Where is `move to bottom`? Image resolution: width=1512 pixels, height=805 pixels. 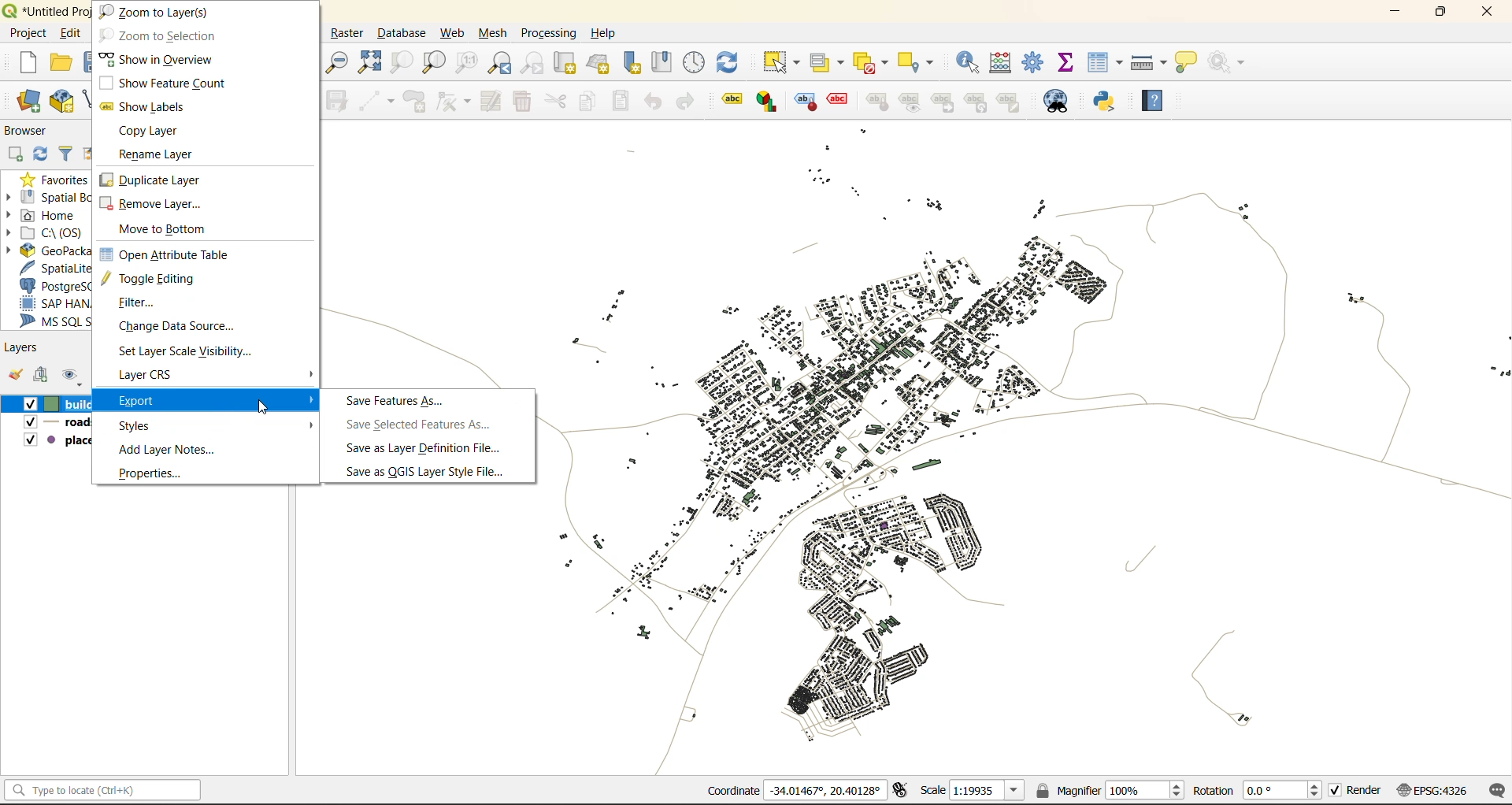 move to bottom is located at coordinates (167, 228).